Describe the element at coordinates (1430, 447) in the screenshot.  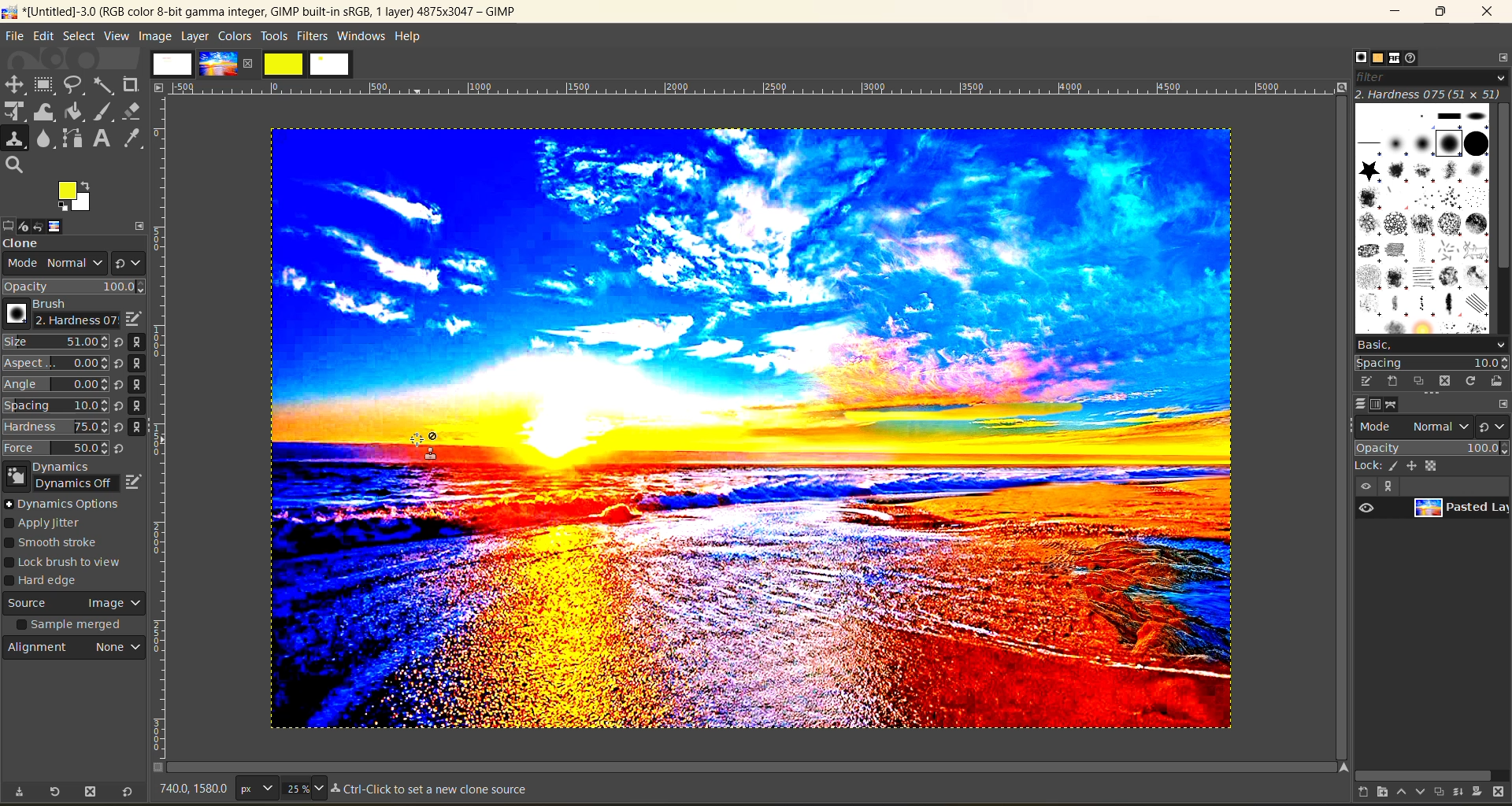
I see `opacity` at that location.